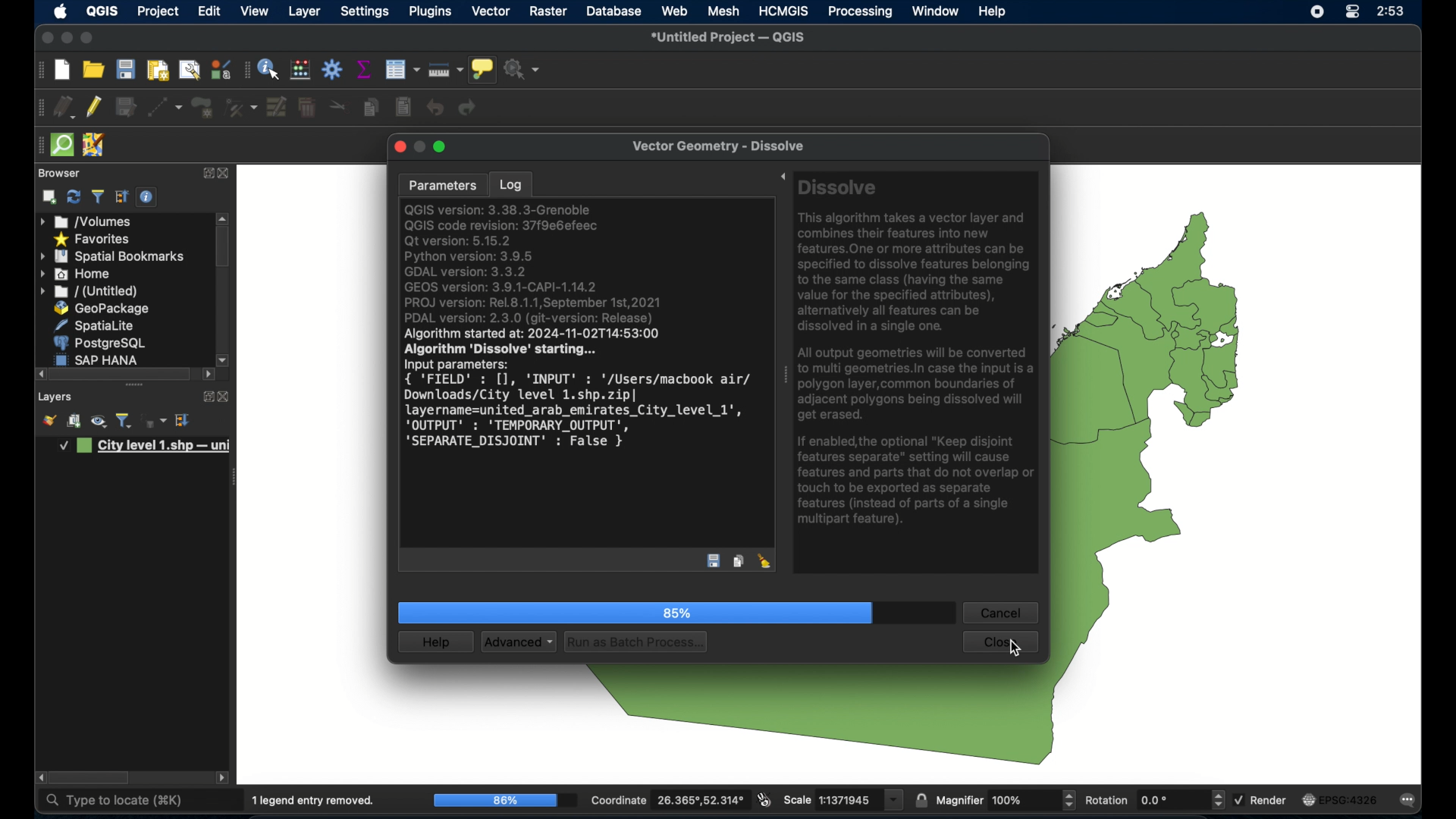 This screenshot has height=819, width=1456. I want to click on scroll right arrow, so click(39, 778).